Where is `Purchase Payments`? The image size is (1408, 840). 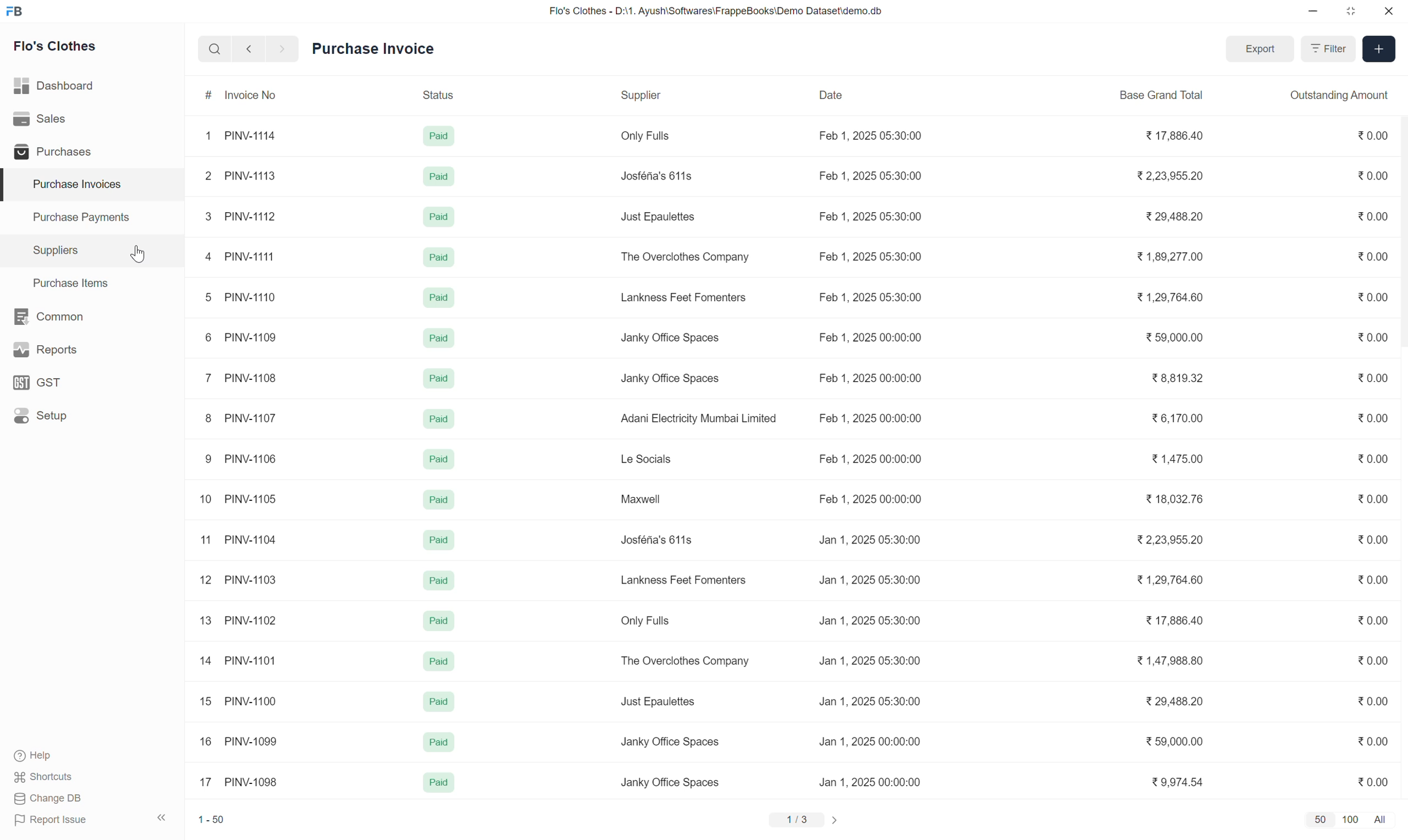 Purchase Payments is located at coordinates (82, 217).